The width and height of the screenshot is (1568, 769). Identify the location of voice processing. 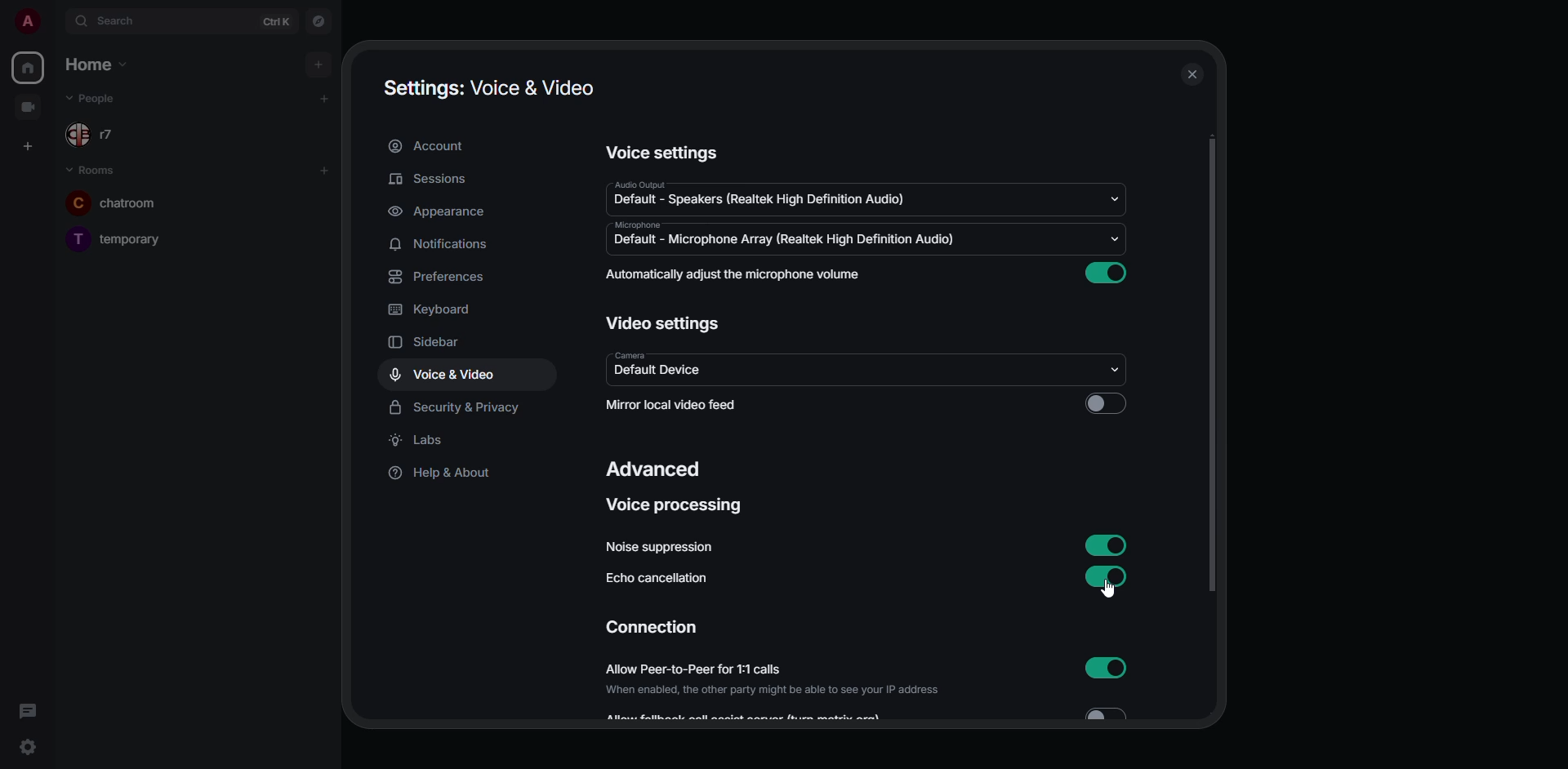
(679, 507).